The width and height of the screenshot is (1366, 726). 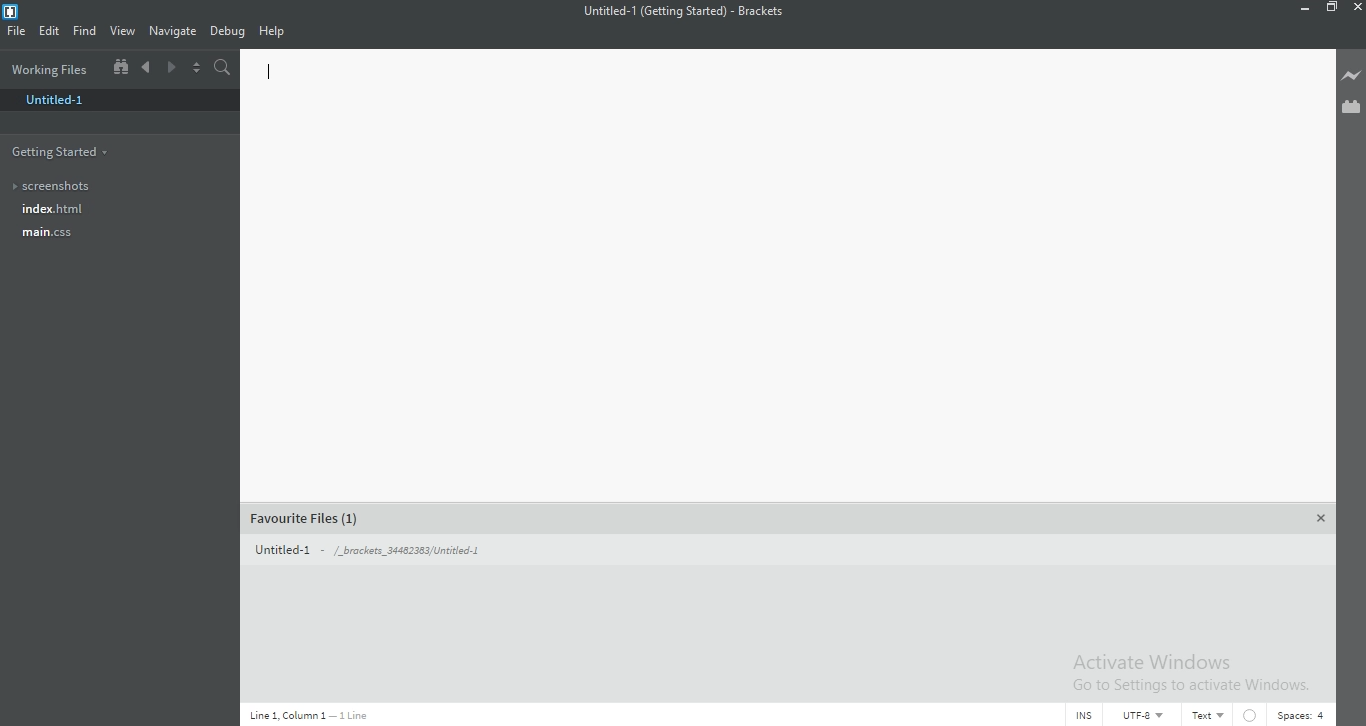 I want to click on Line code data, so click(x=311, y=717).